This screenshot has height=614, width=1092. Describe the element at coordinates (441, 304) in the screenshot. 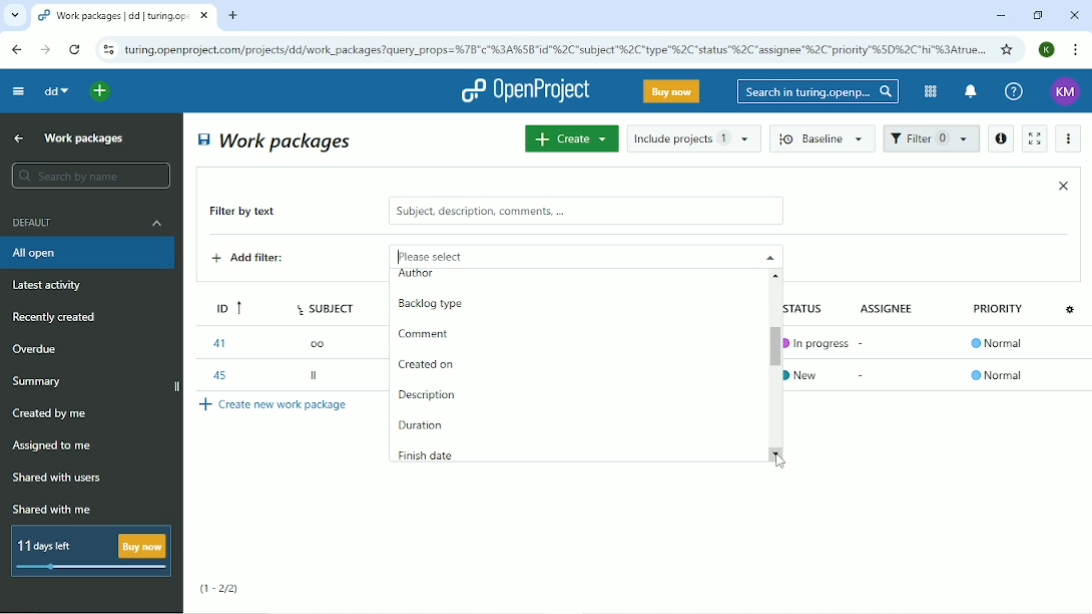

I see `Backlog type` at that location.